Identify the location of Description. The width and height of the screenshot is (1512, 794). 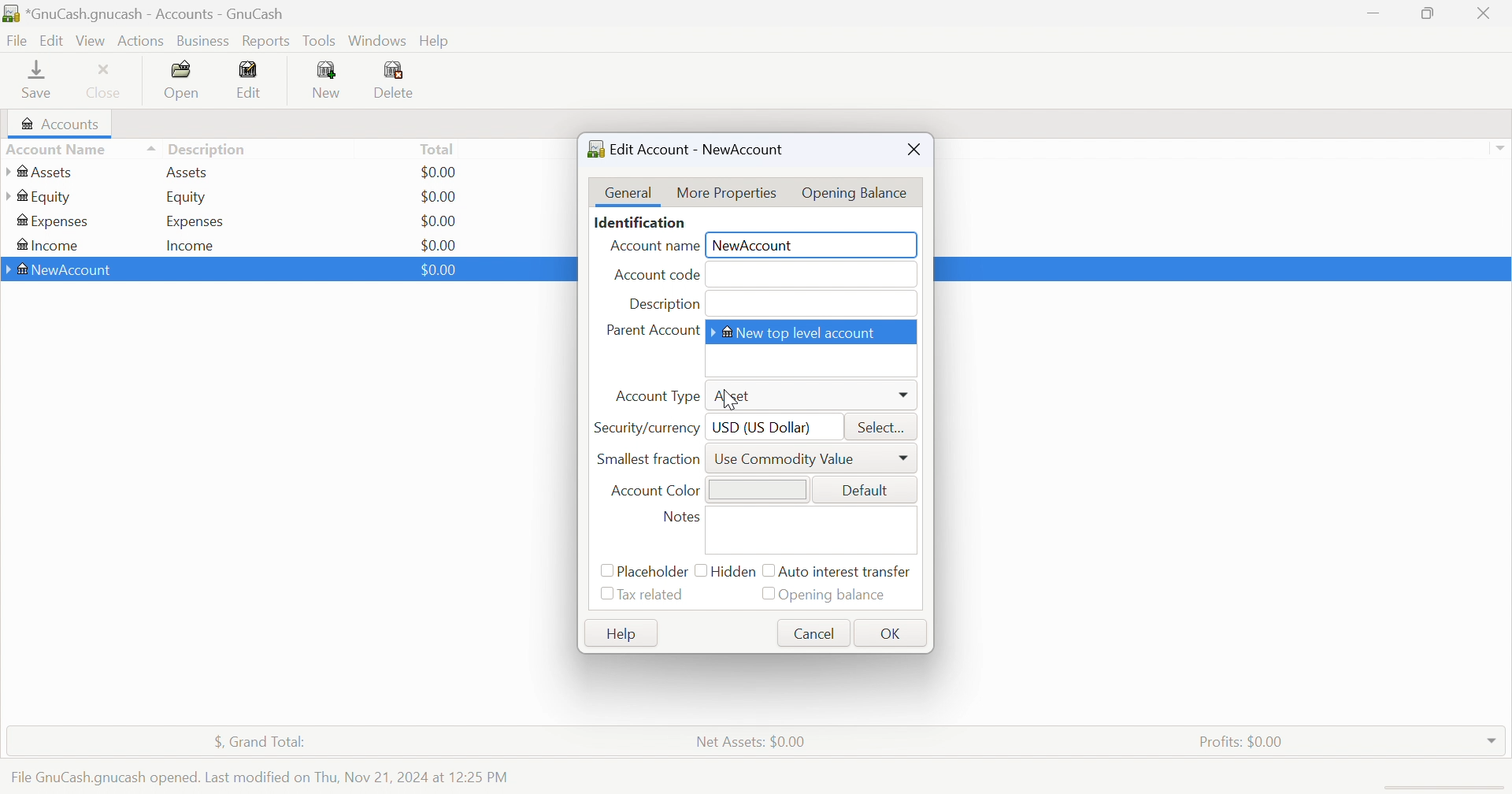
(208, 150).